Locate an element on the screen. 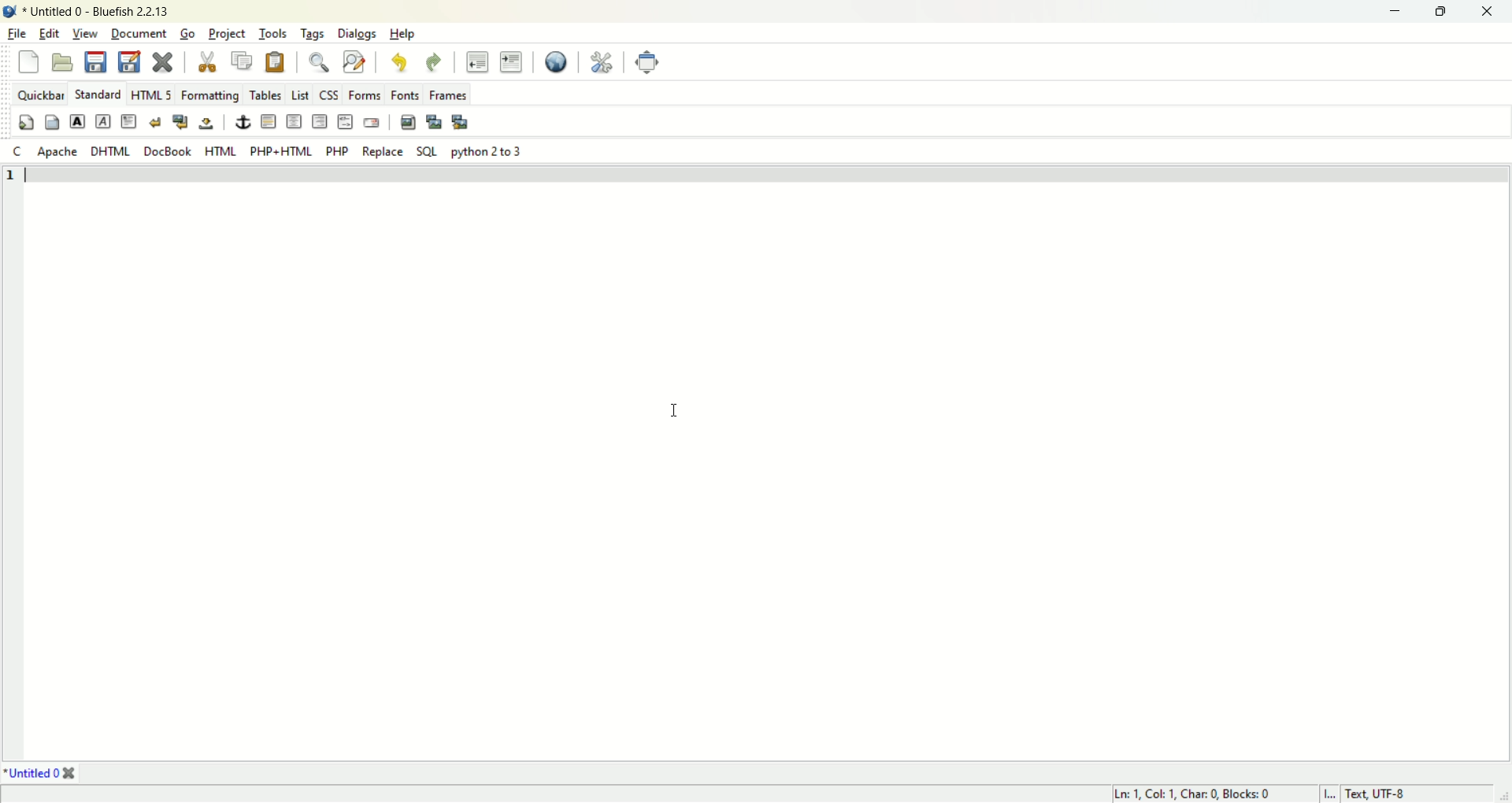 This screenshot has height=803, width=1512. tags is located at coordinates (311, 32).